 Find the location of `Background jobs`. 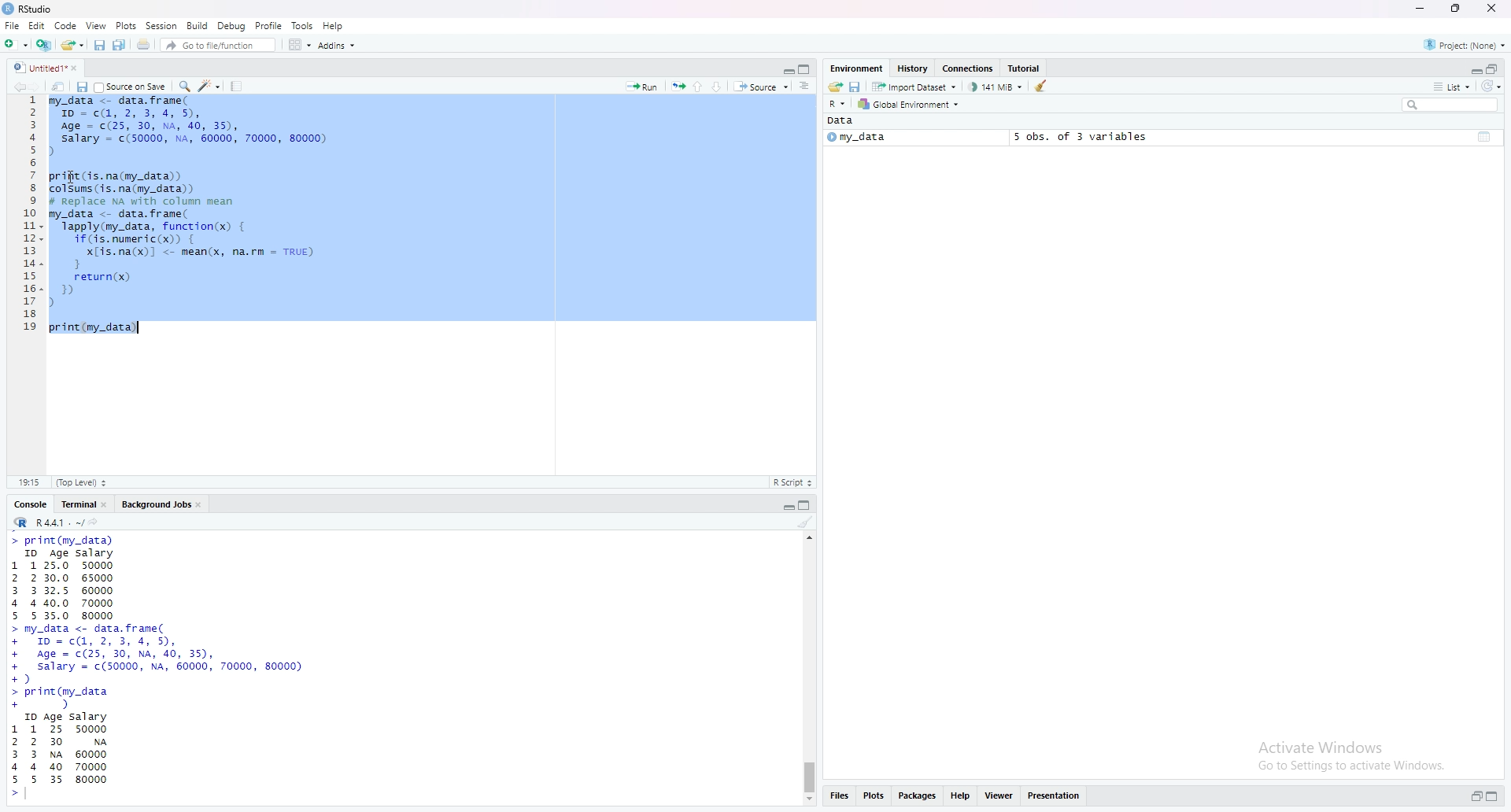

Background jobs is located at coordinates (164, 506).